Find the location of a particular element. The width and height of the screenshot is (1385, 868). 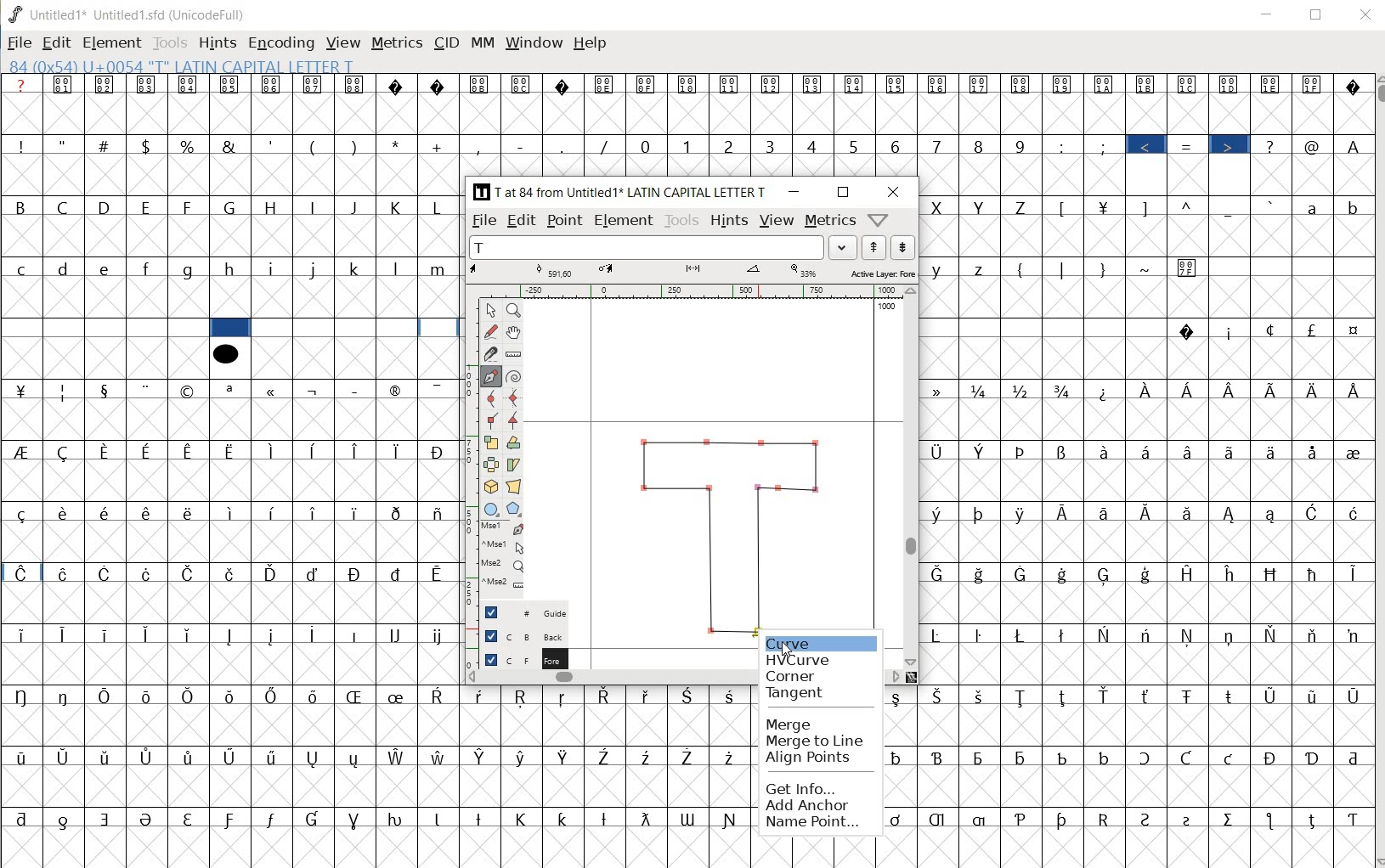

Symbol is located at coordinates (107, 575).